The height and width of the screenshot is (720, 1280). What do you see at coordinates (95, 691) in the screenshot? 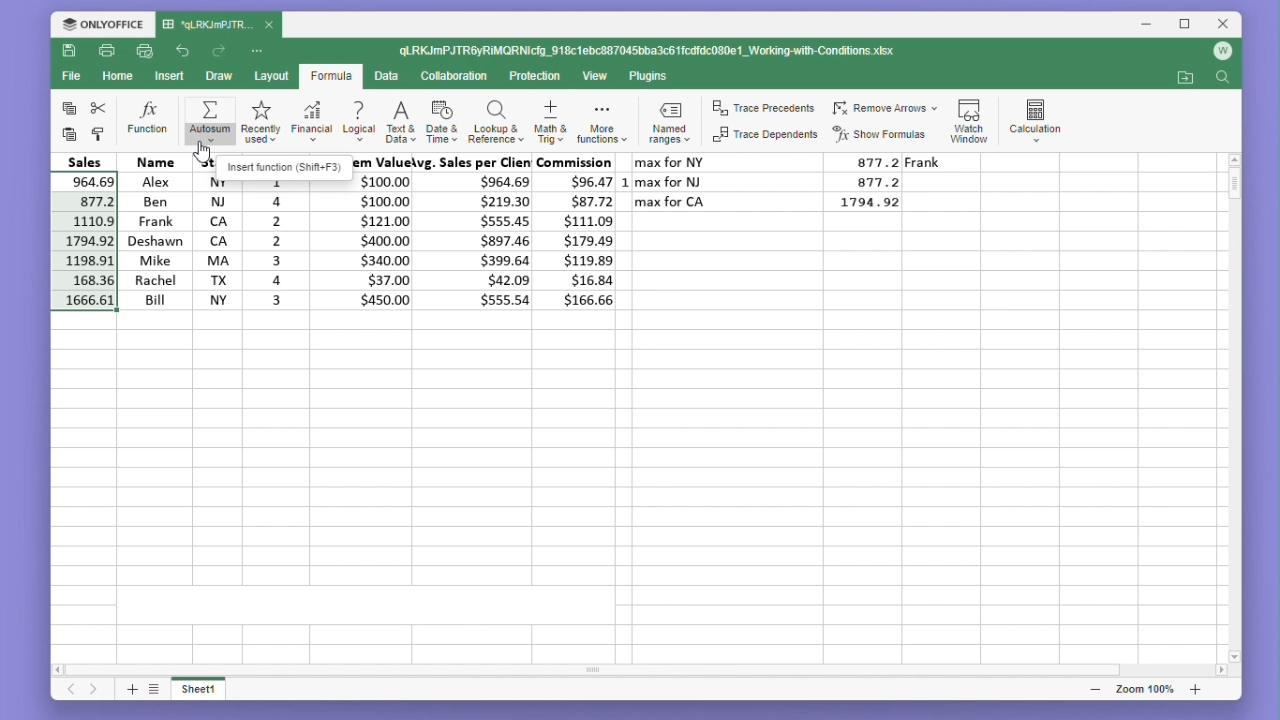
I see `Next sheet` at bounding box center [95, 691].